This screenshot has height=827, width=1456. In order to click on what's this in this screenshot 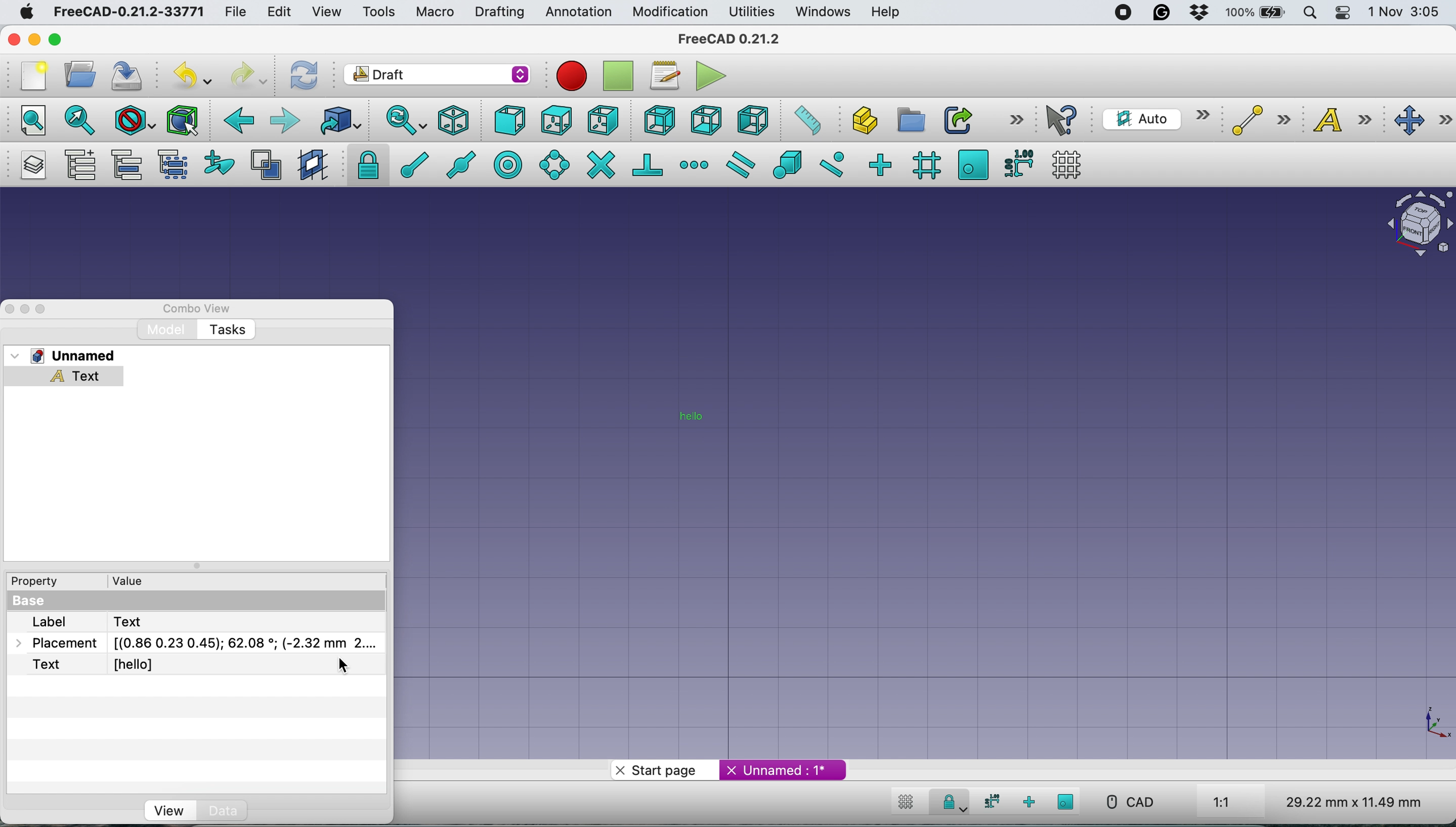, I will do `click(1066, 119)`.